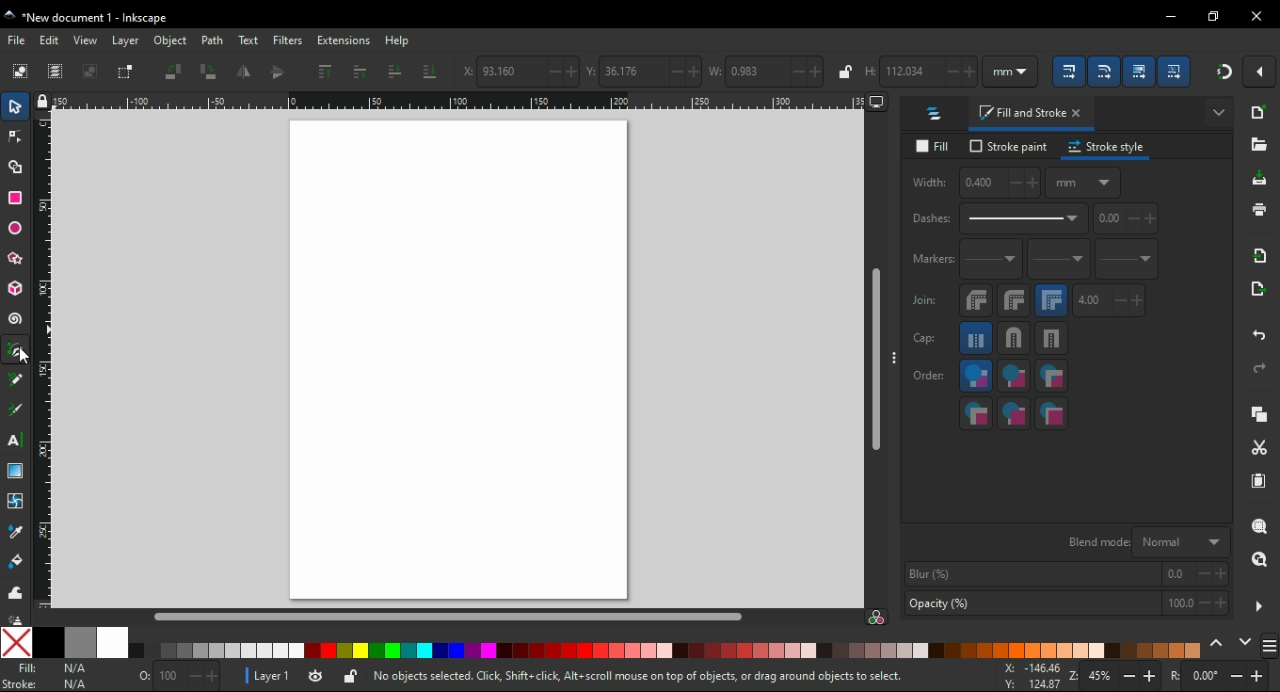  I want to click on color managed mode, so click(876, 619).